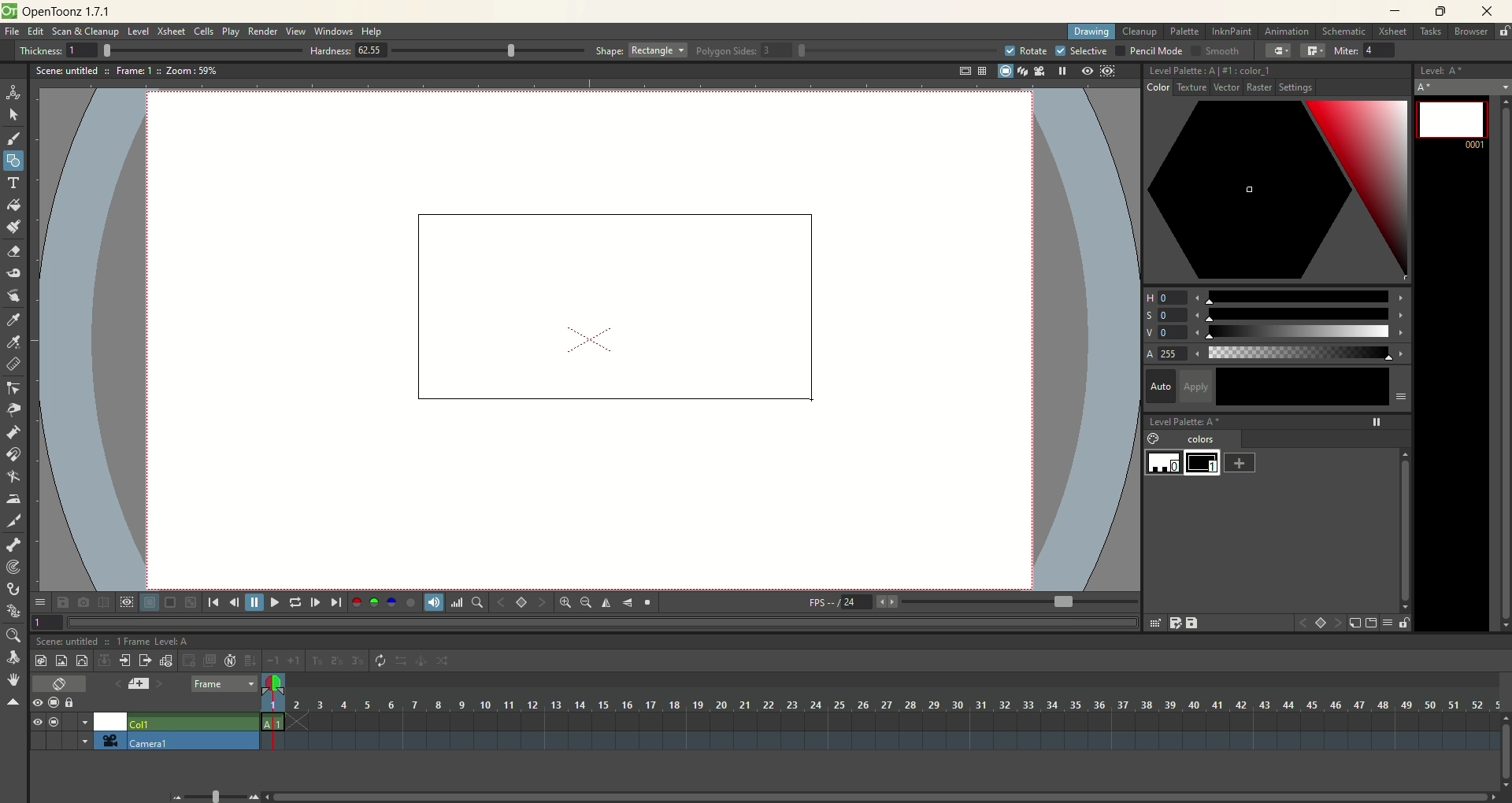 The height and width of the screenshot is (803, 1512). I want to click on freeze, so click(1059, 71).